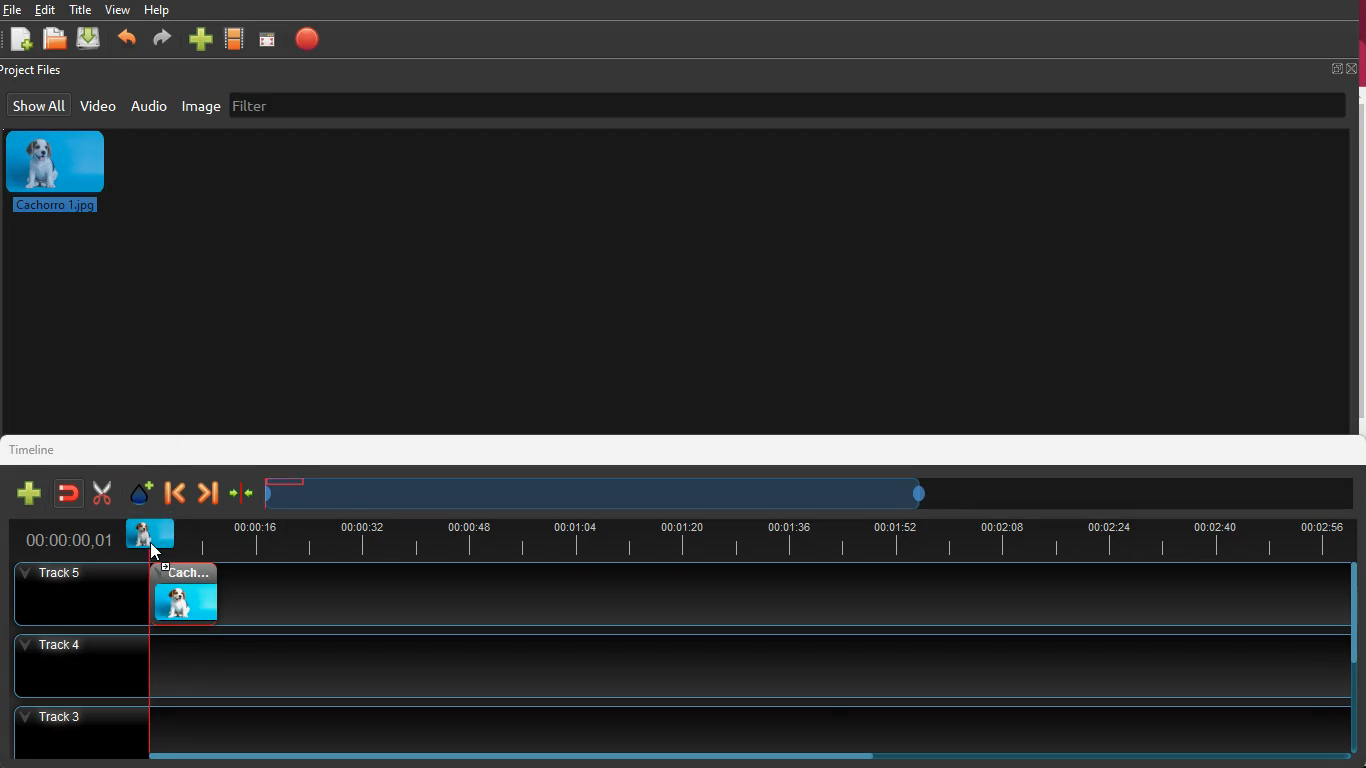  Describe the element at coordinates (266, 42) in the screenshot. I see `screen` at that location.